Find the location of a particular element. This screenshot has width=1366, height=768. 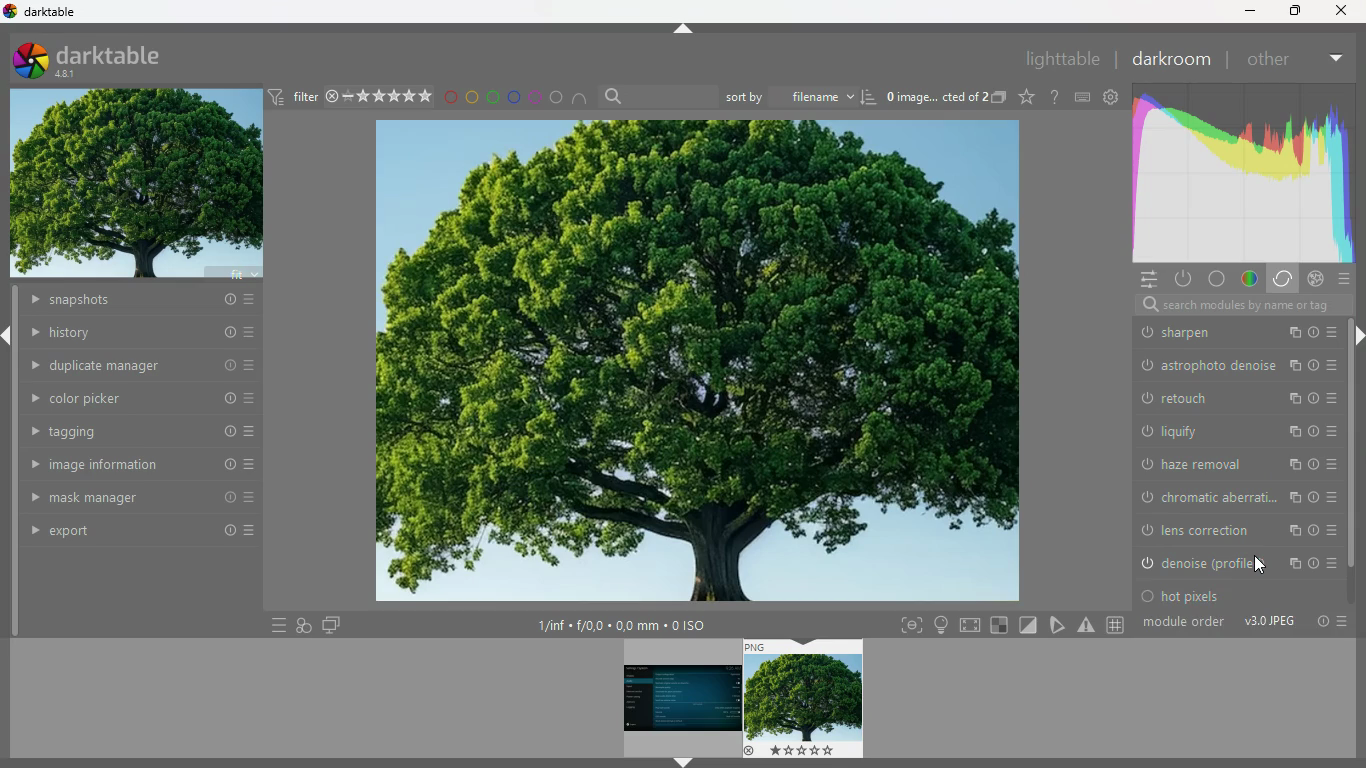

size is located at coordinates (621, 626).